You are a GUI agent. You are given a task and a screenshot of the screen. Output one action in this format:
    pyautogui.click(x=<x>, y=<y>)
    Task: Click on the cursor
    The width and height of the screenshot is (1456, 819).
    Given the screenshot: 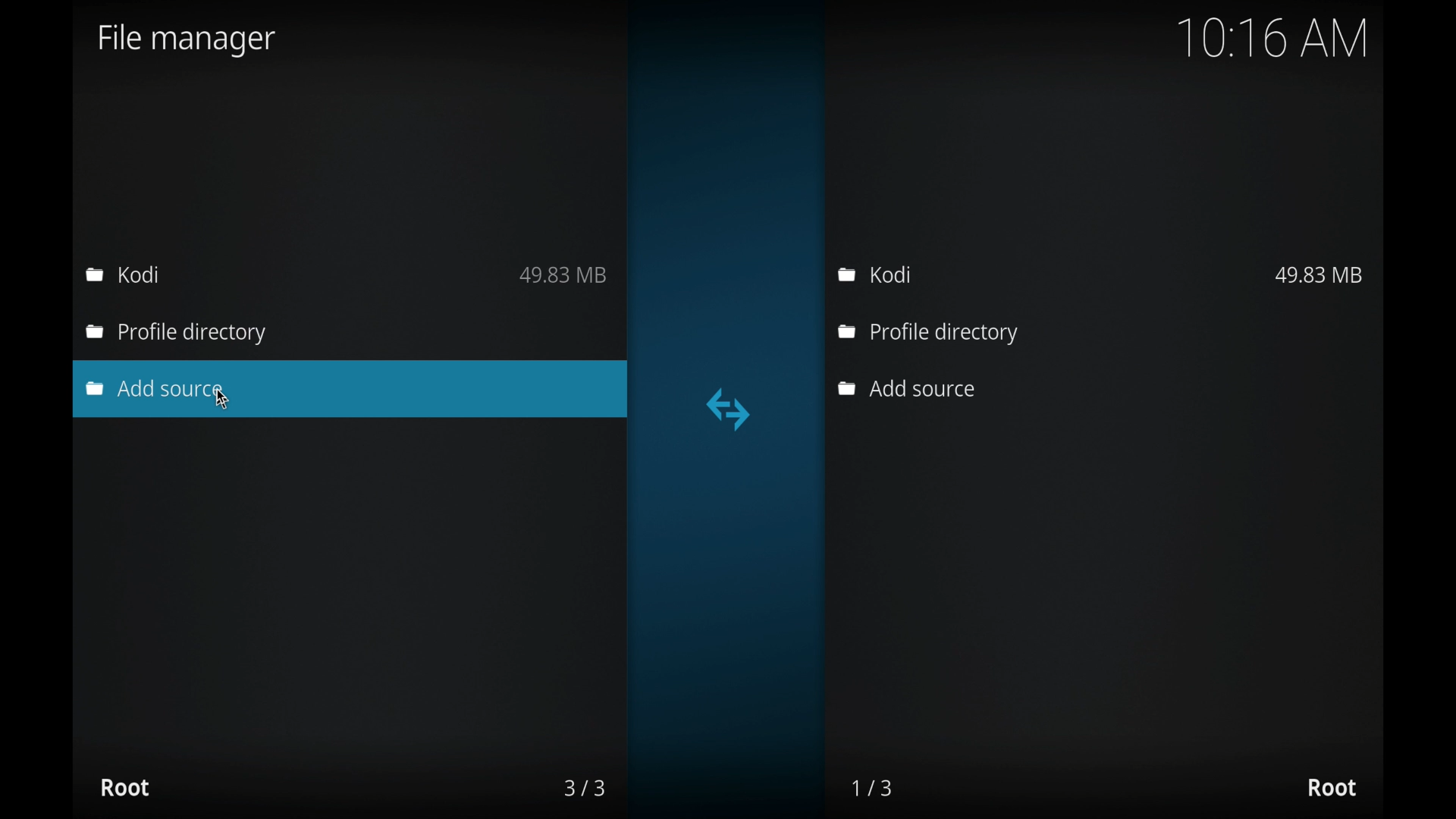 What is the action you would take?
    pyautogui.click(x=222, y=399)
    